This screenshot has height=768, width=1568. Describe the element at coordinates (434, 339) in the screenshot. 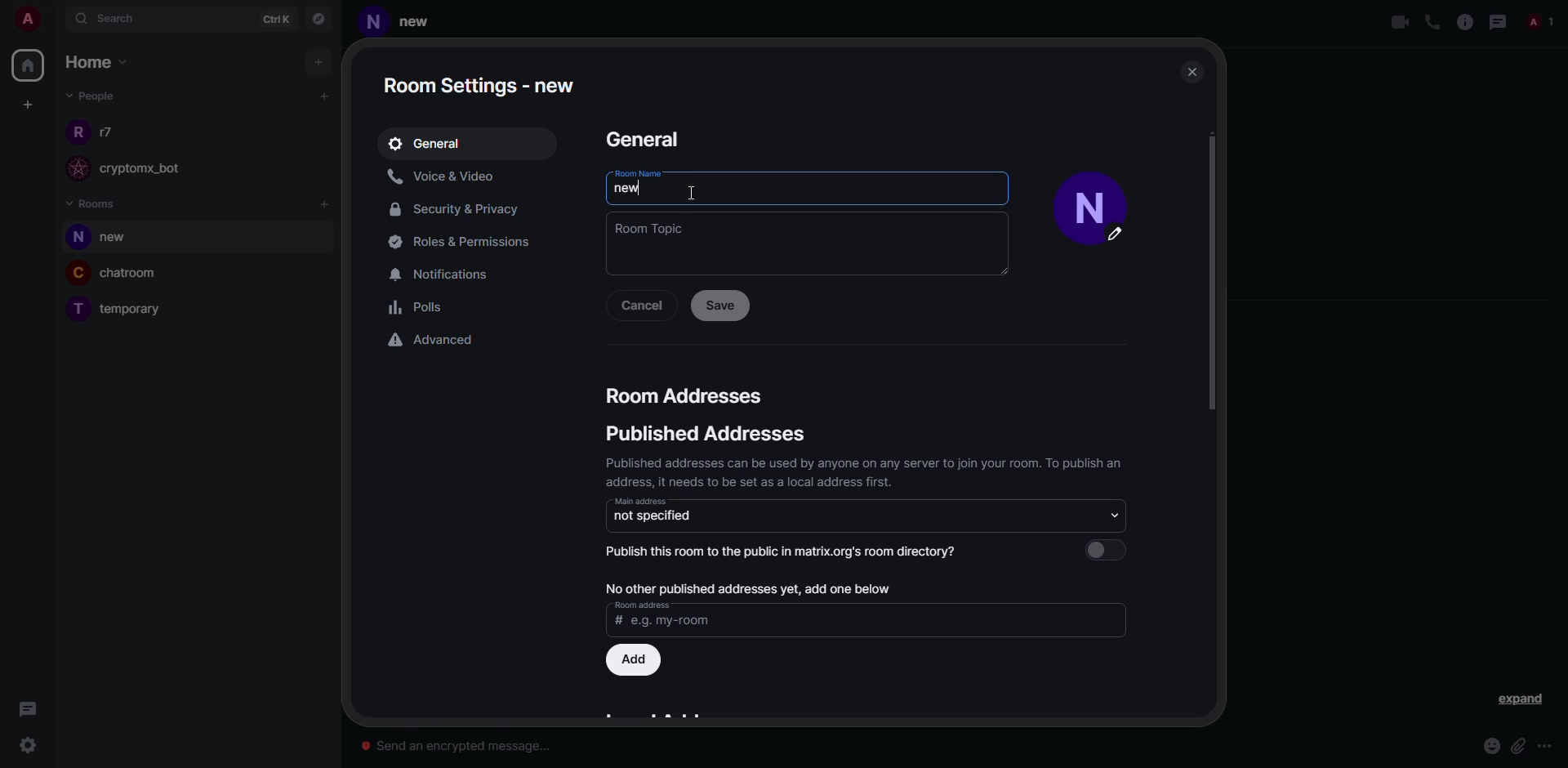

I see `advanced` at that location.